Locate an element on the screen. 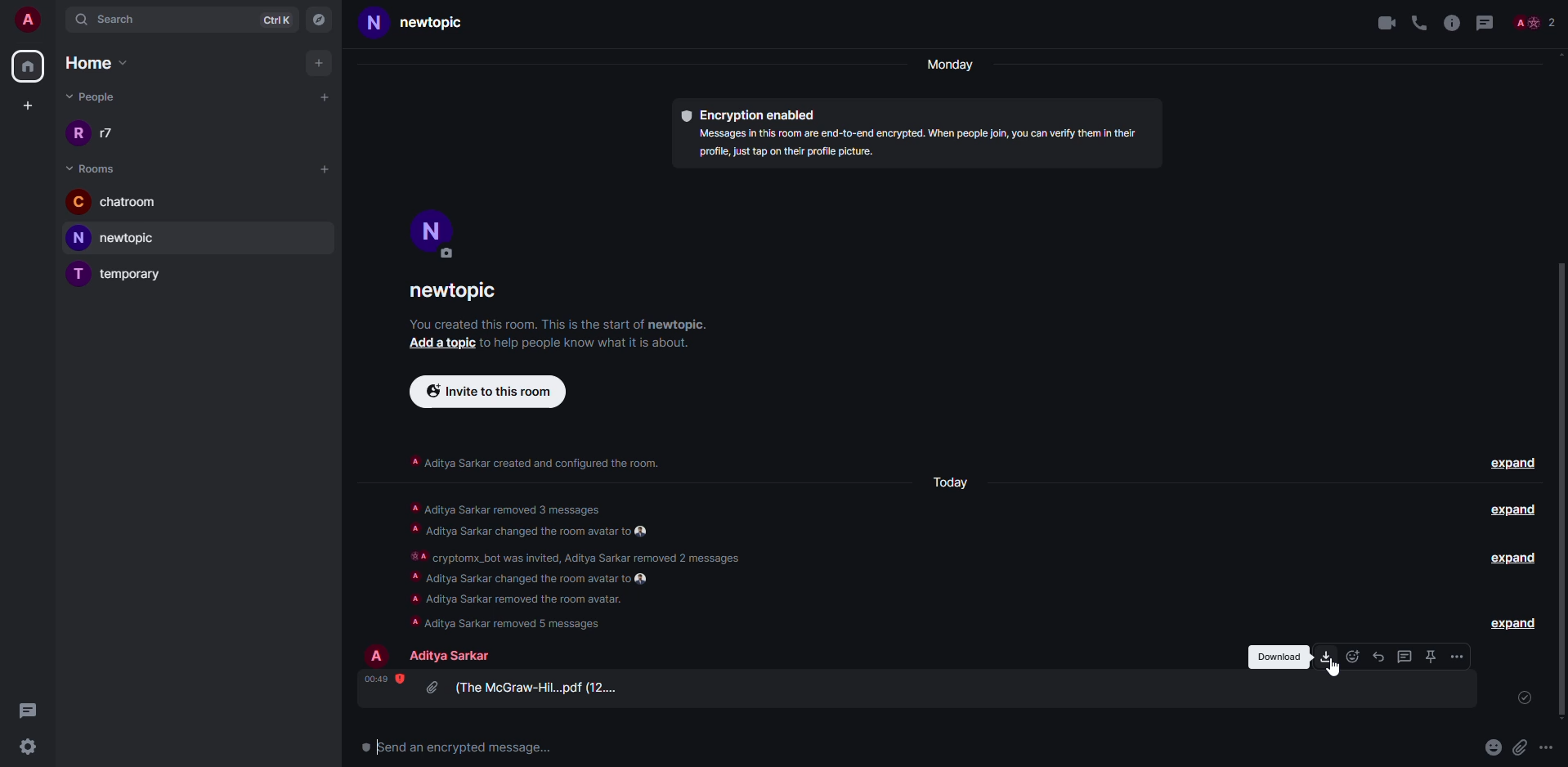  room is located at coordinates (422, 22).